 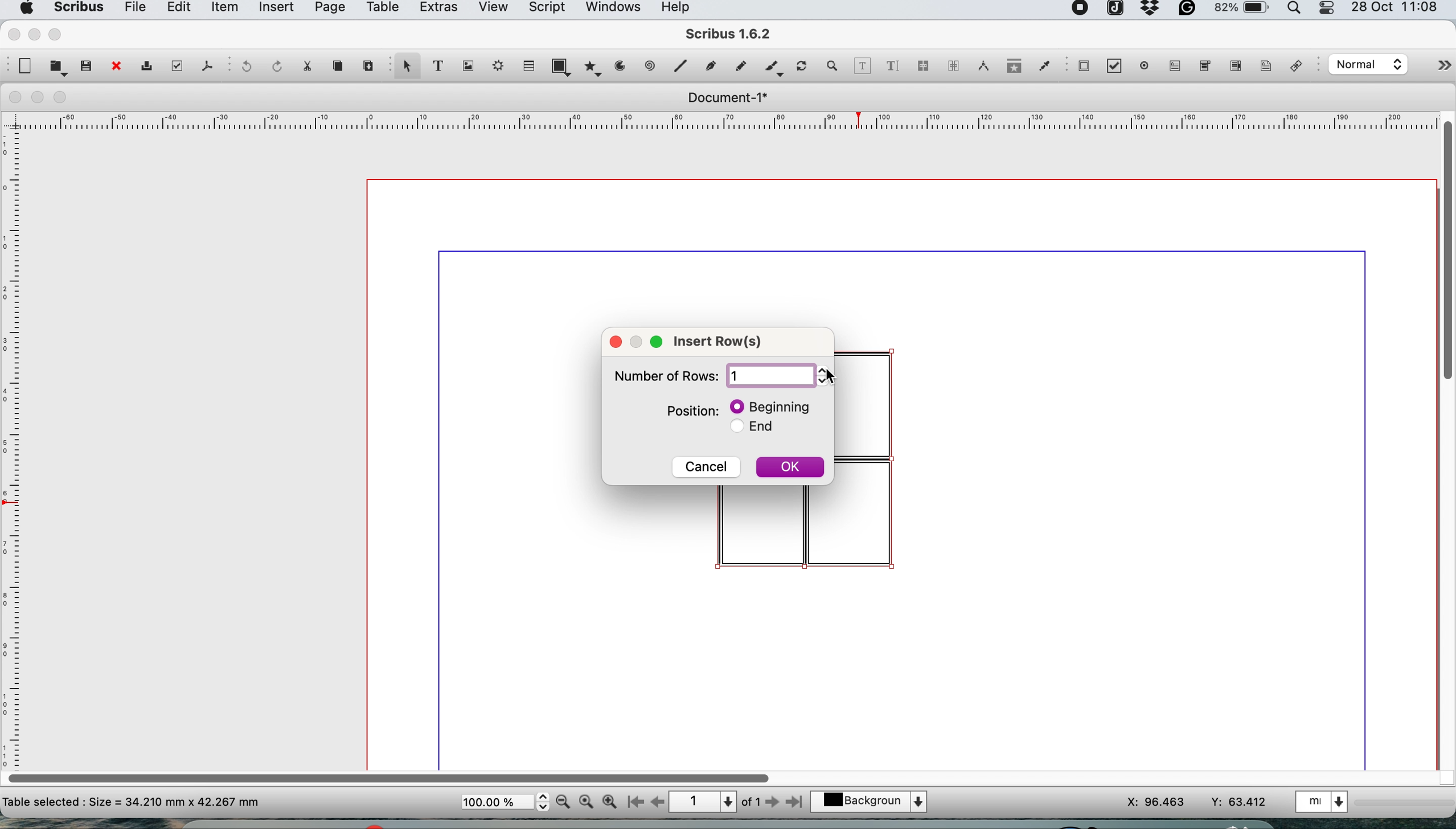 I want to click on undo, so click(x=244, y=67).